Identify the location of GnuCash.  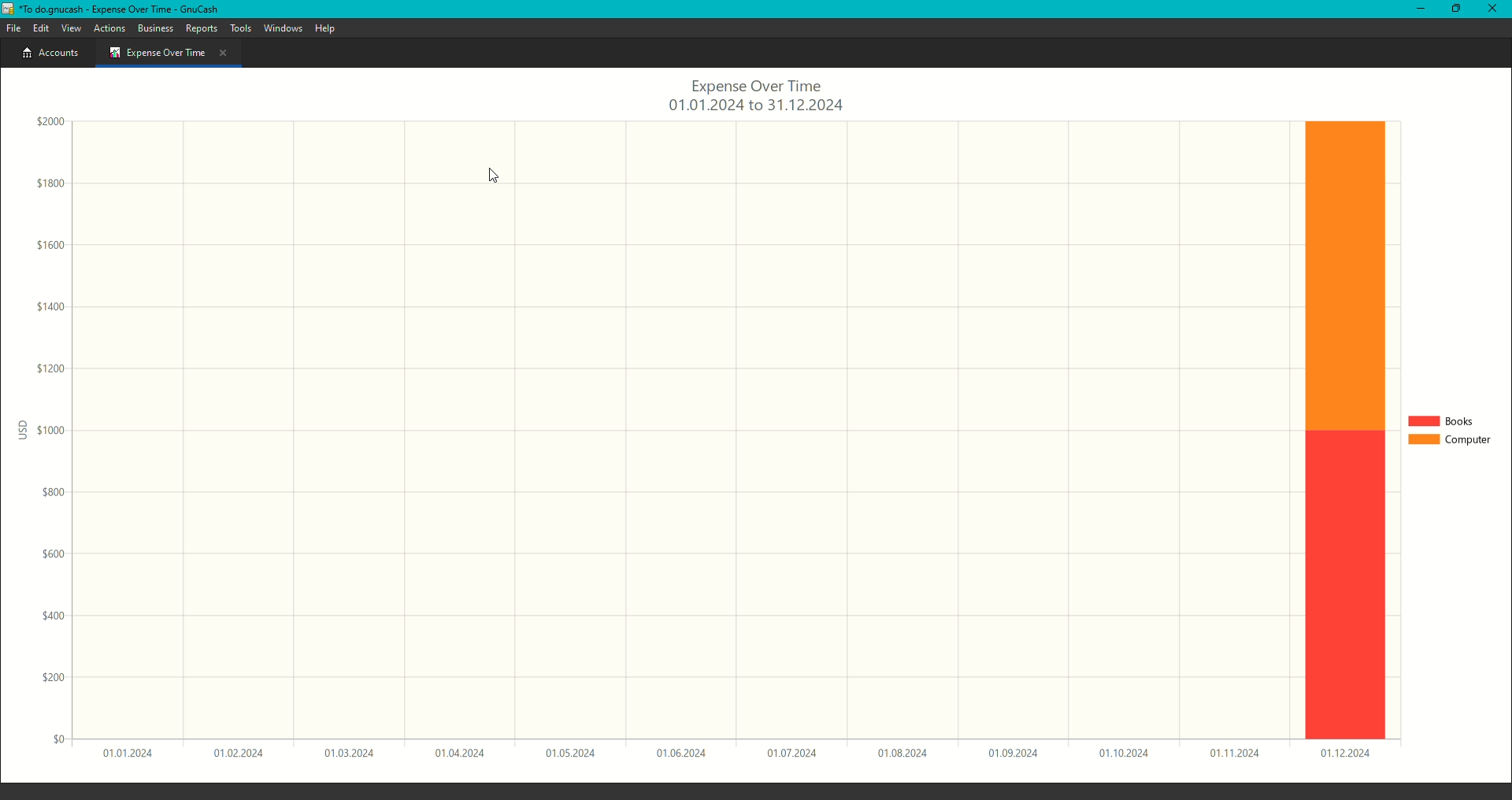
(112, 9).